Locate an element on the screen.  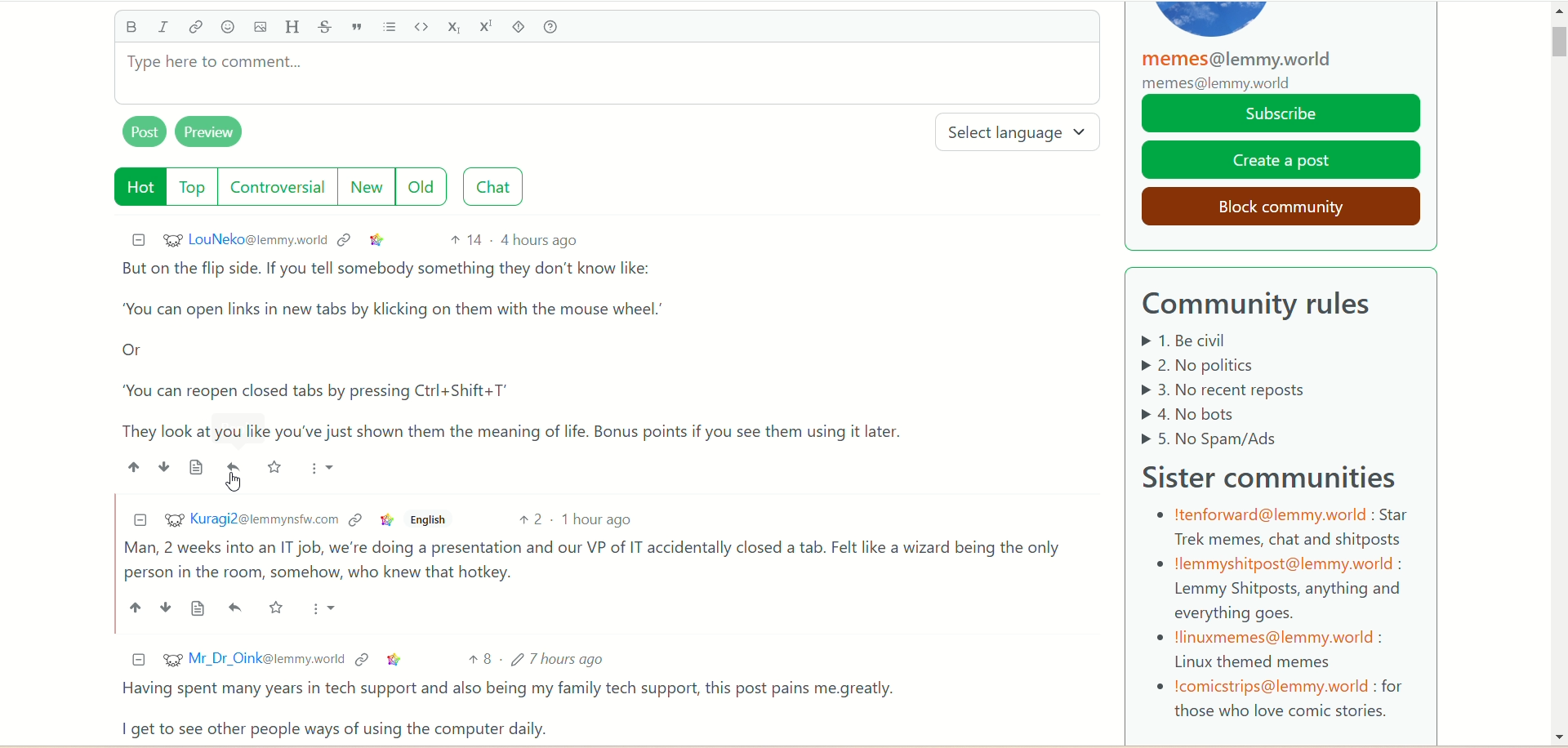
Scroll up arrow is located at coordinates (1557, 13).